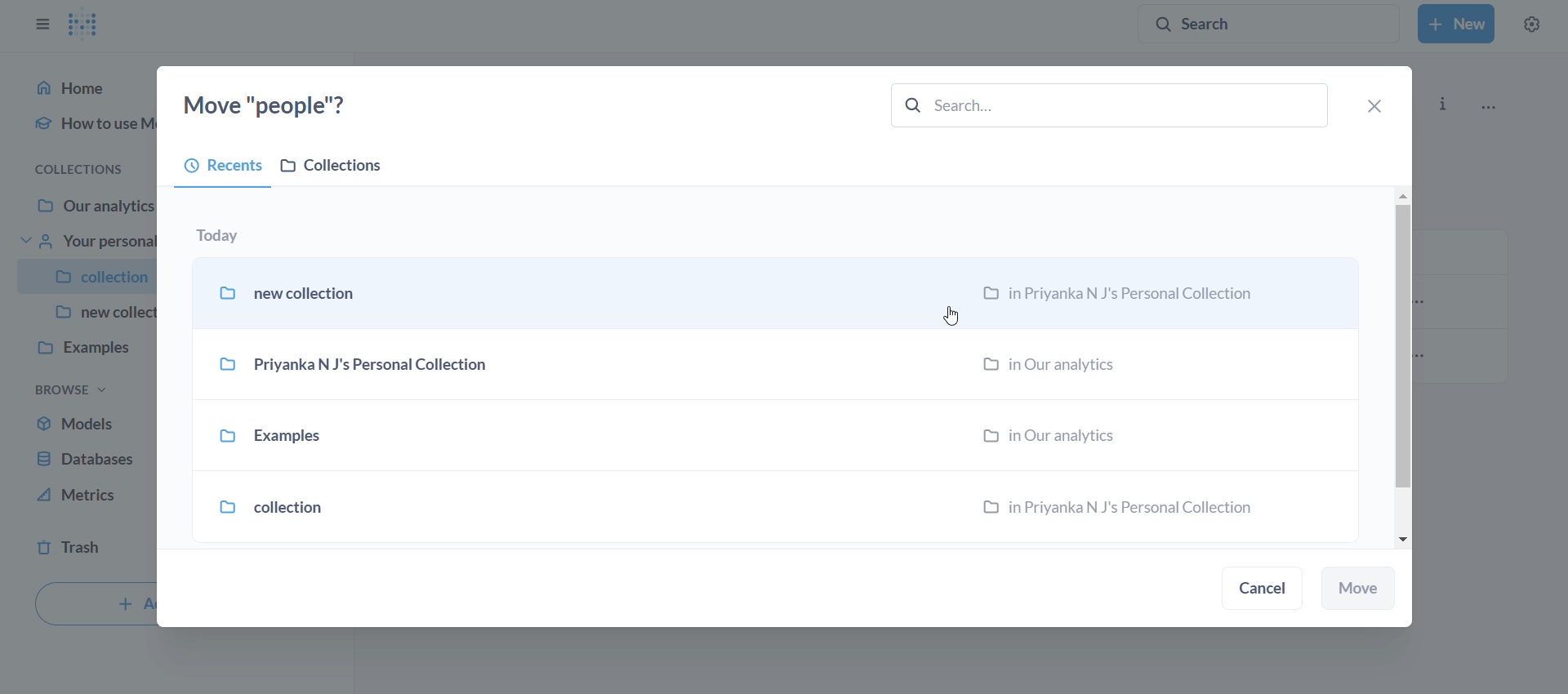 This screenshot has width=1568, height=694. Describe the element at coordinates (1441, 104) in the screenshot. I see `info` at that location.